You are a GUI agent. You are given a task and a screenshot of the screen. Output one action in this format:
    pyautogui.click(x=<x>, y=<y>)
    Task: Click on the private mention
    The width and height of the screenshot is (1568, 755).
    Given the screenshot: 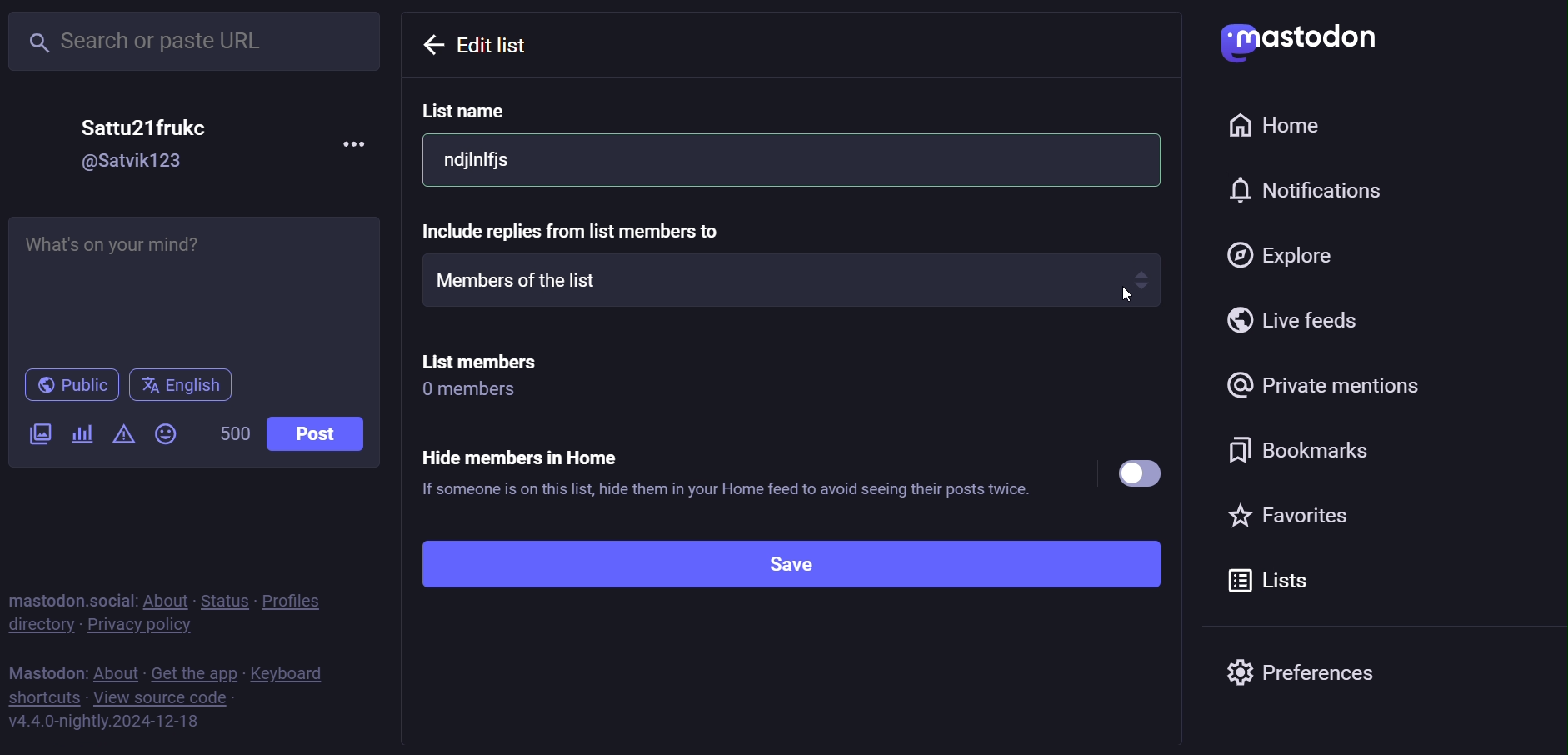 What is the action you would take?
    pyautogui.click(x=1328, y=387)
    